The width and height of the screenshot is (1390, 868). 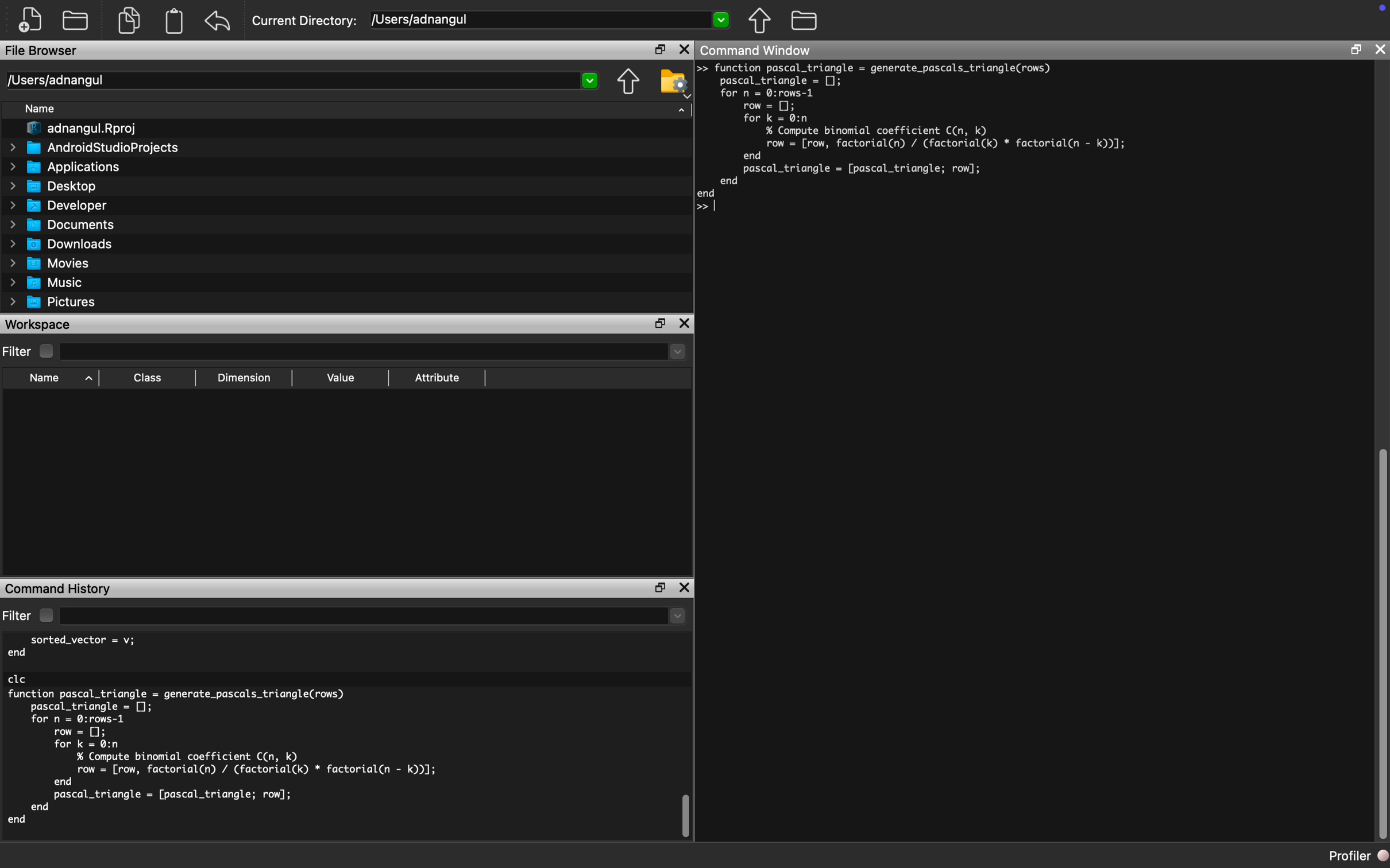 I want to click on Restore Down, so click(x=660, y=588).